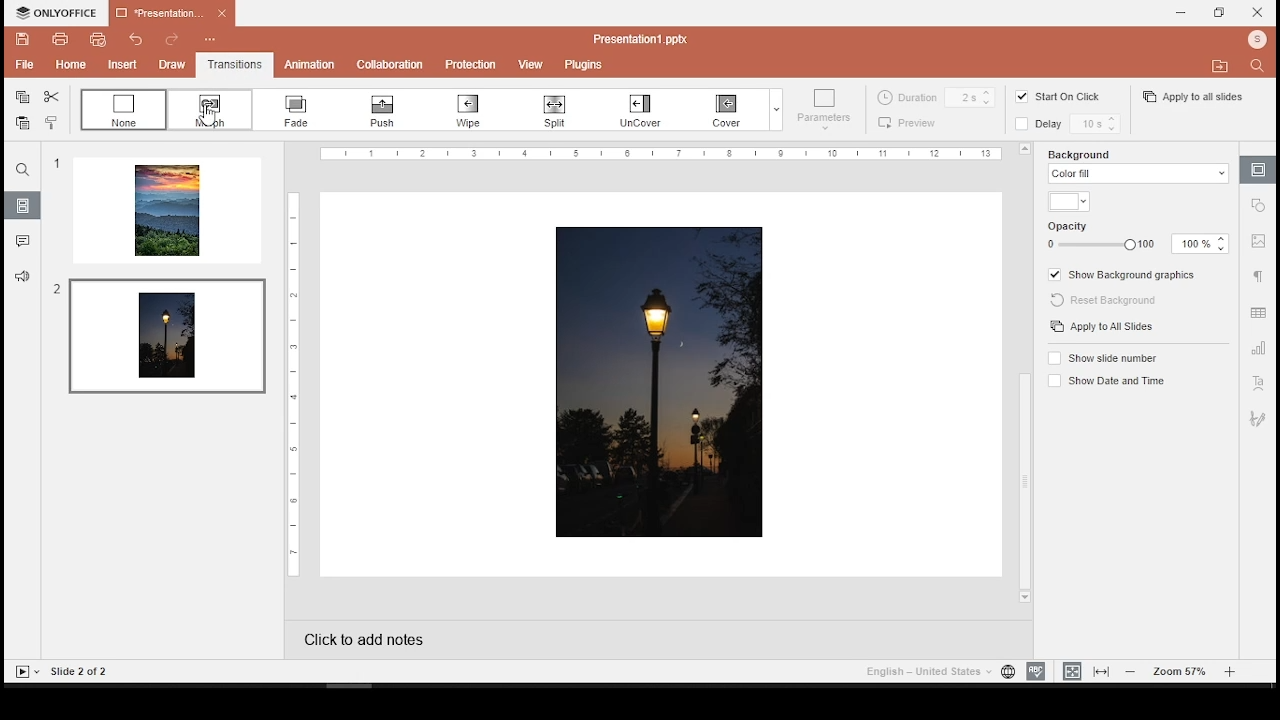 The image size is (1280, 720). What do you see at coordinates (1035, 671) in the screenshot?
I see `spelling check` at bounding box center [1035, 671].